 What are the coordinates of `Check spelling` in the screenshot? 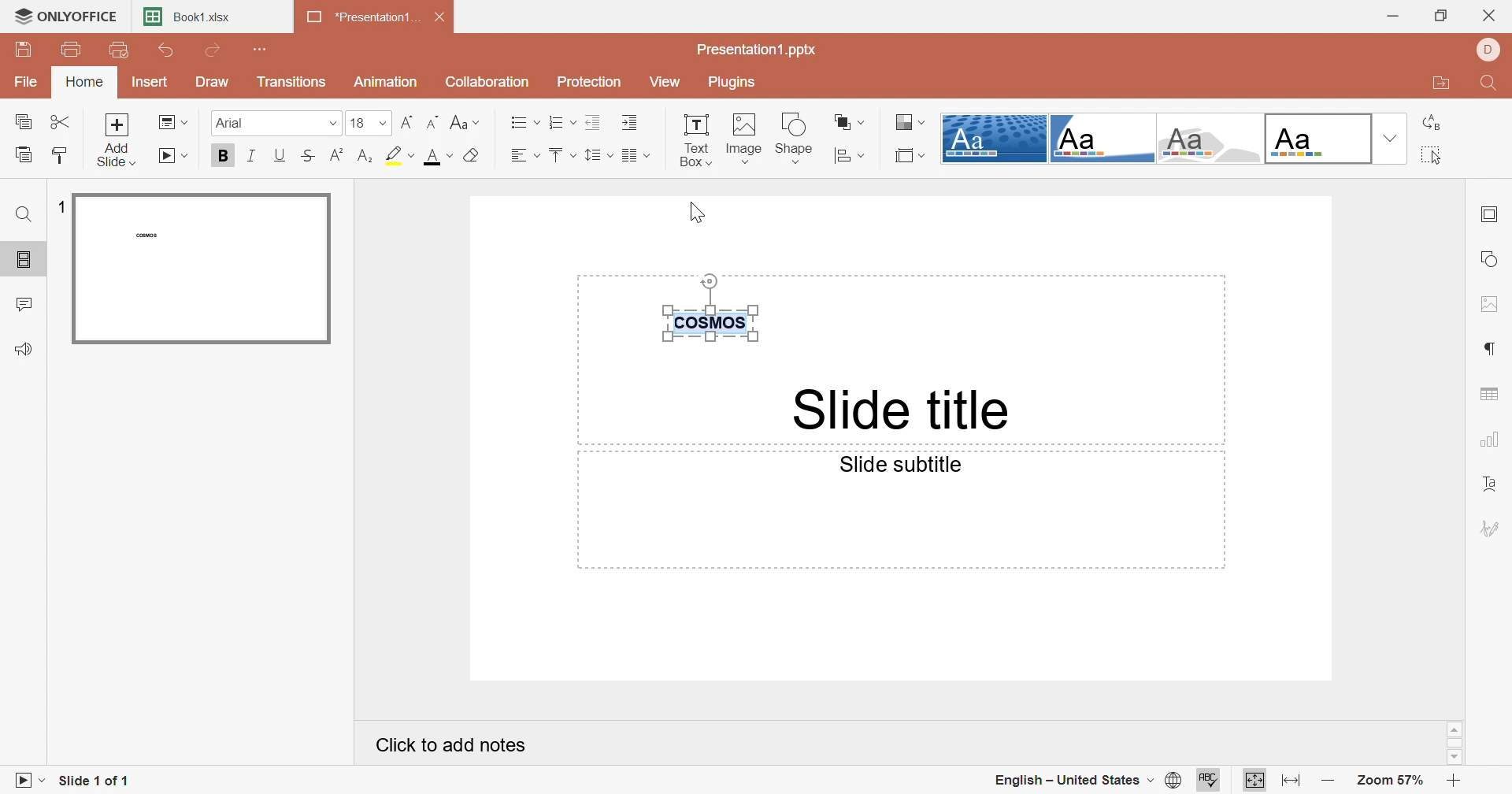 It's located at (1209, 779).